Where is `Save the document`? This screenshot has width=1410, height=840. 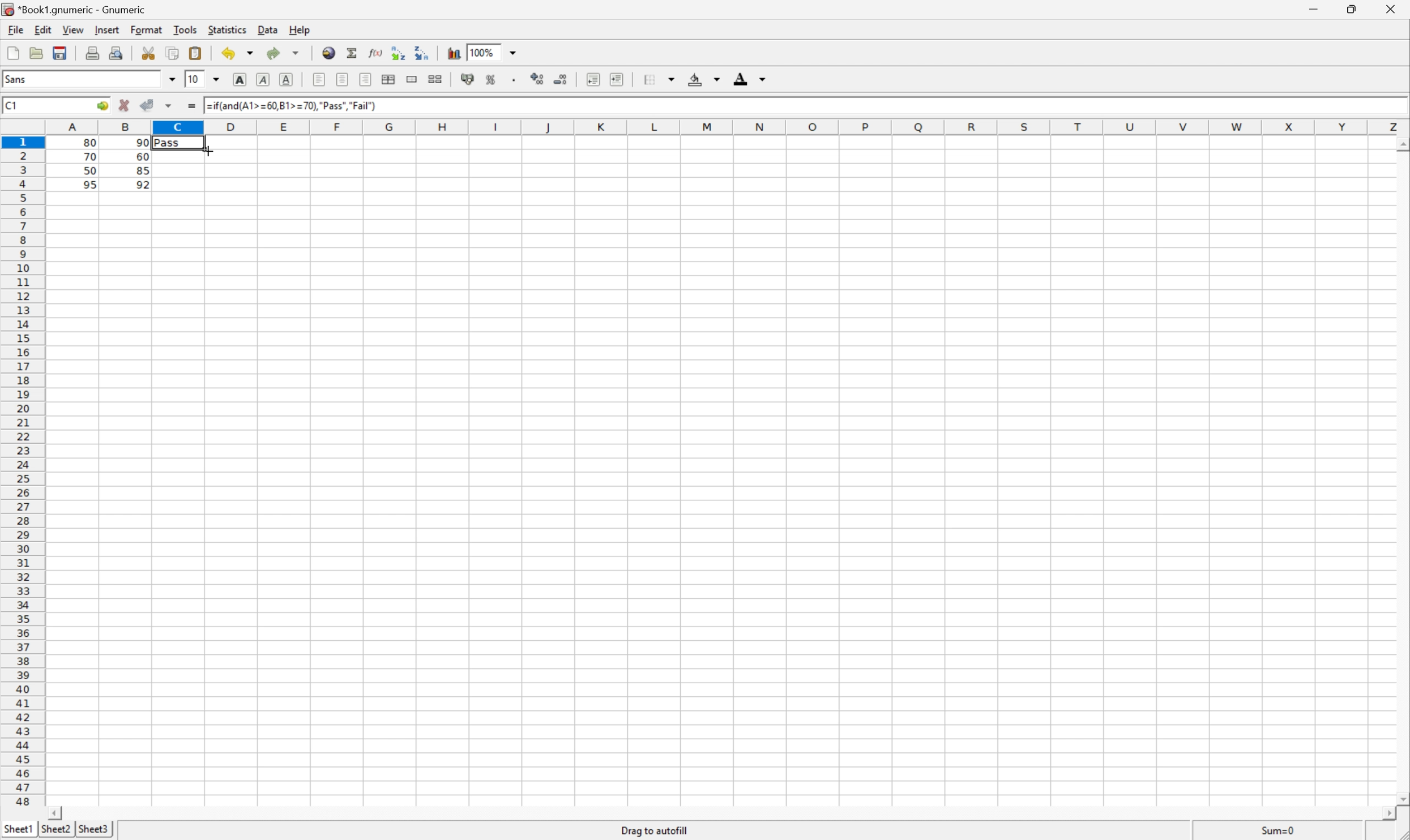
Save the document is located at coordinates (36, 53).